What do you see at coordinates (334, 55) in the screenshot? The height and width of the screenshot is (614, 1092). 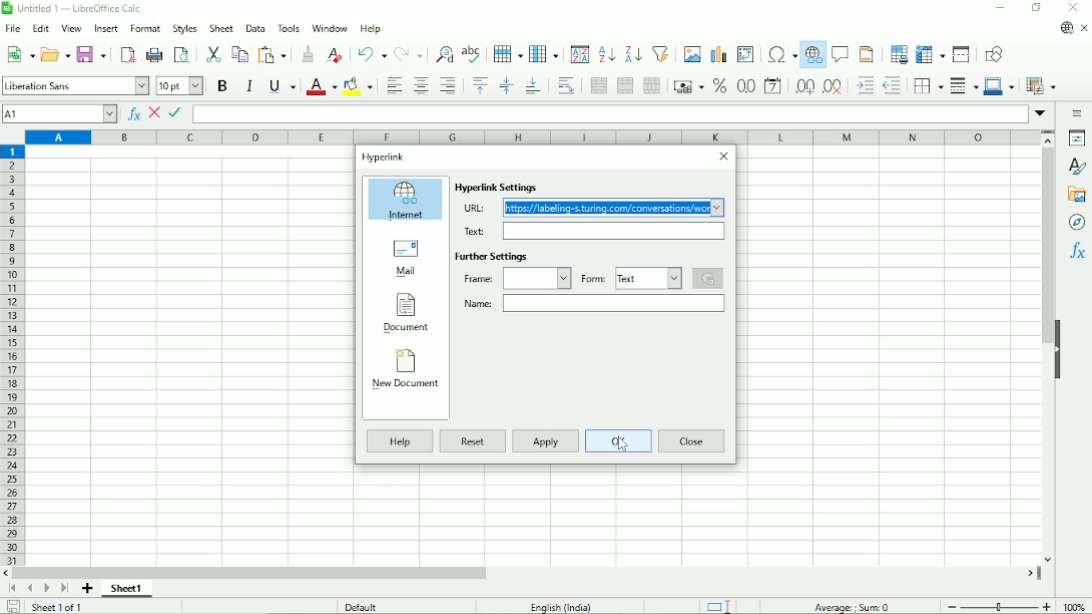 I see `Clear direct formatting` at bounding box center [334, 55].